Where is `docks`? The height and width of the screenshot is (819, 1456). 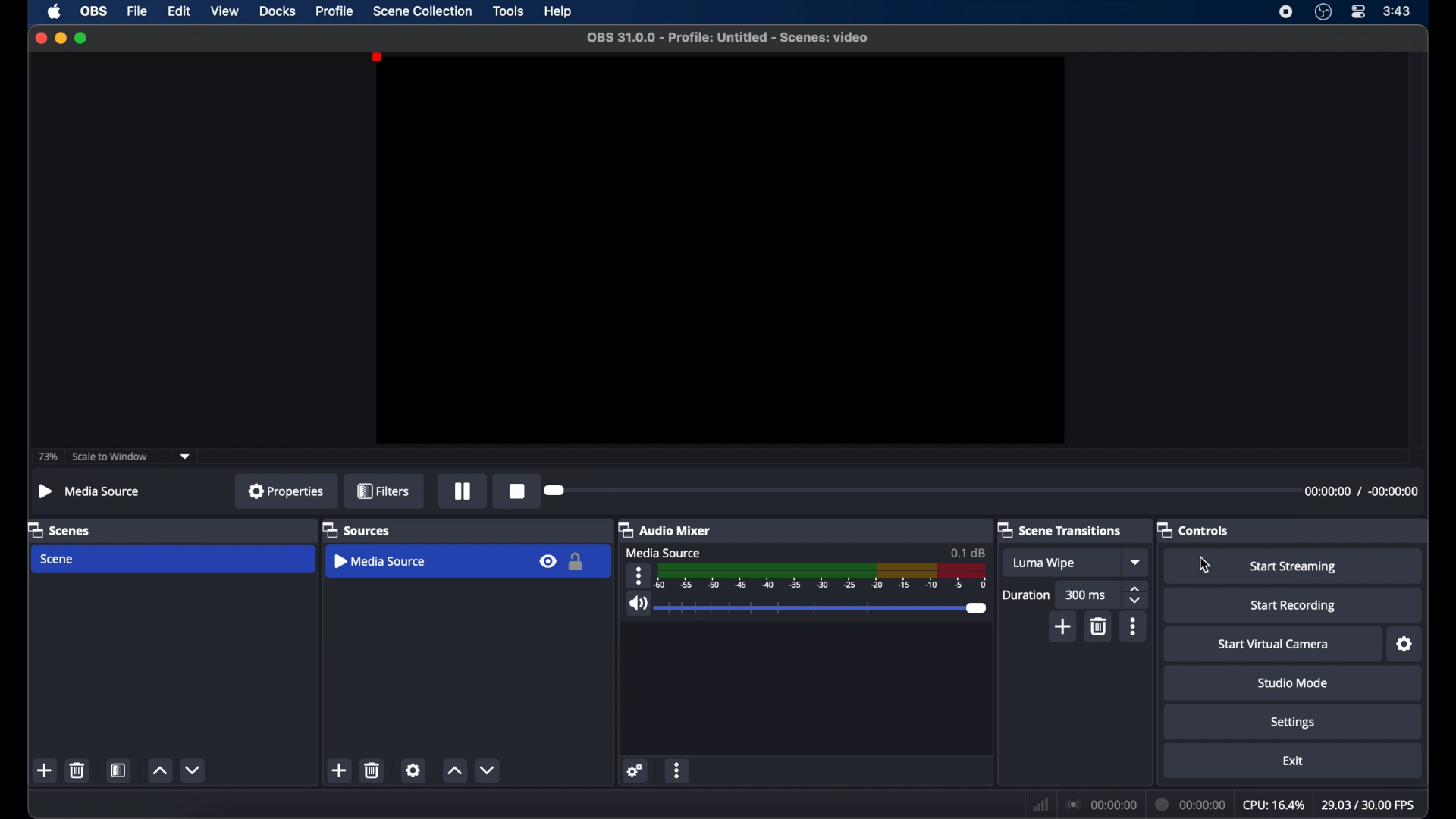
docks is located at coordinates (278, 11).